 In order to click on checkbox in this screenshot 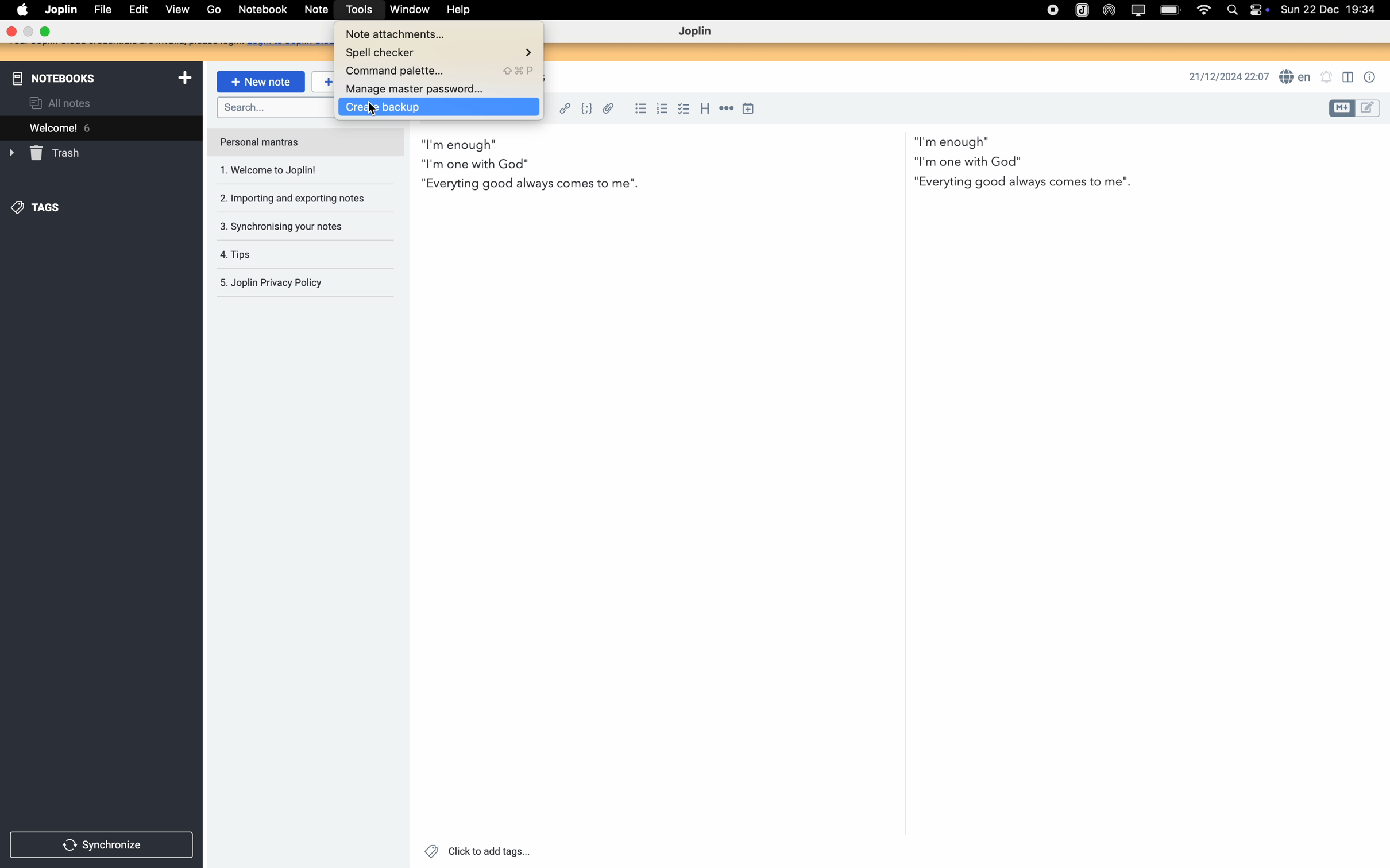, I will do `click(683, 110)`.